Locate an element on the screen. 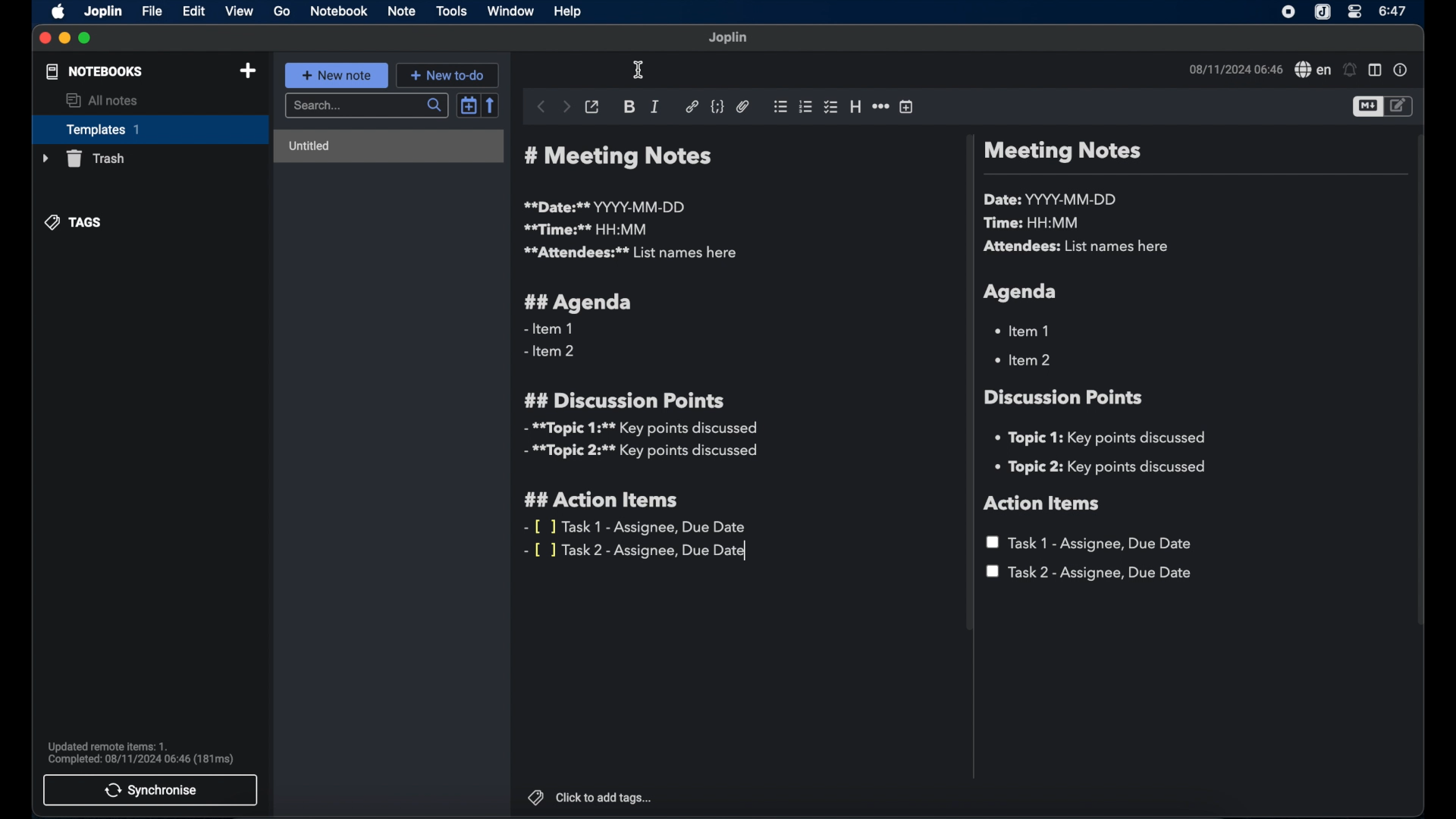 The width and height of the screenshot is (1456, 819). toggle editor layout is located at coordinates (1375, 71).